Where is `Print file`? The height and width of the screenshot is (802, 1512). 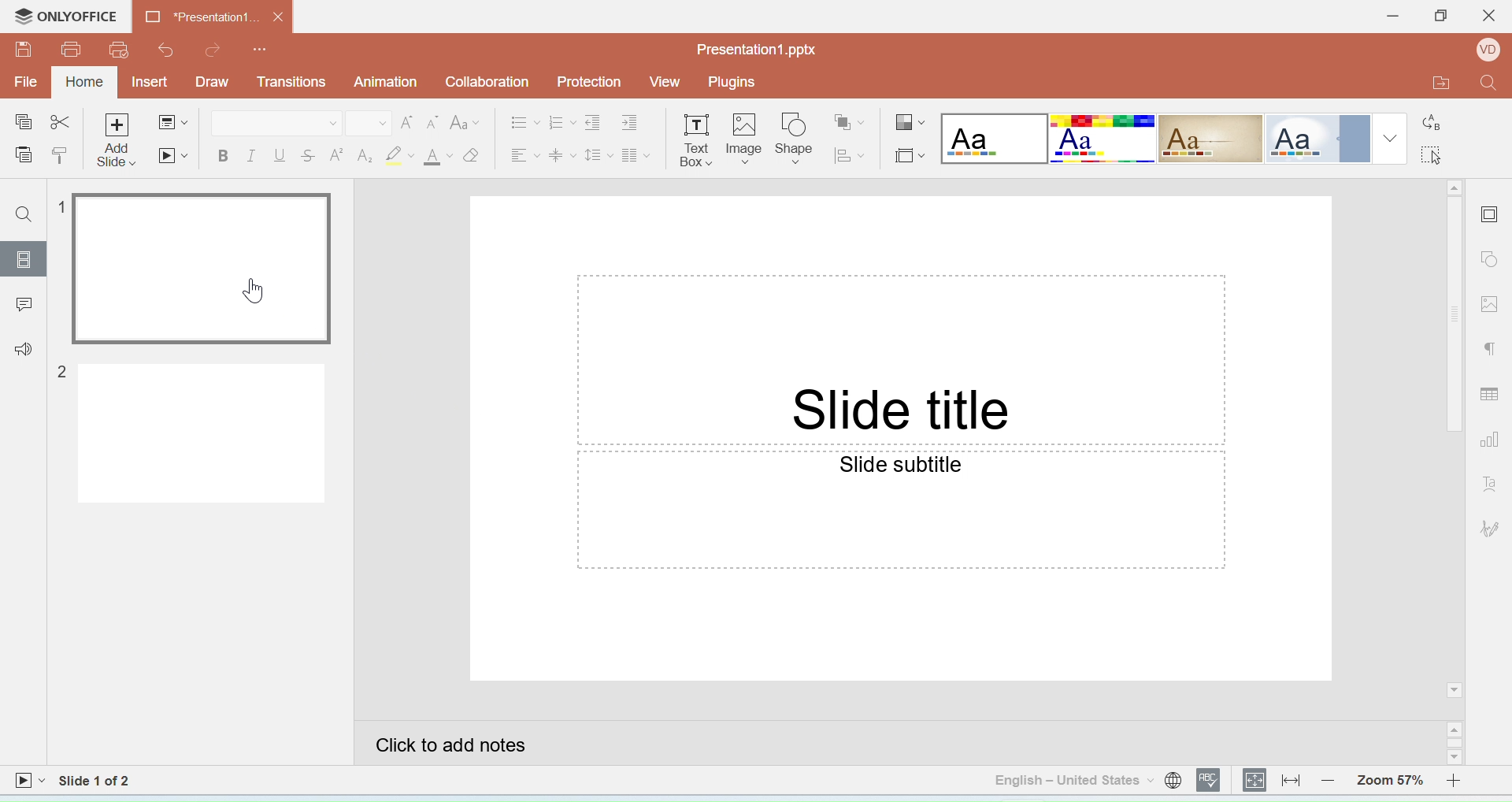
Print file is located at coordinates (72, 50).